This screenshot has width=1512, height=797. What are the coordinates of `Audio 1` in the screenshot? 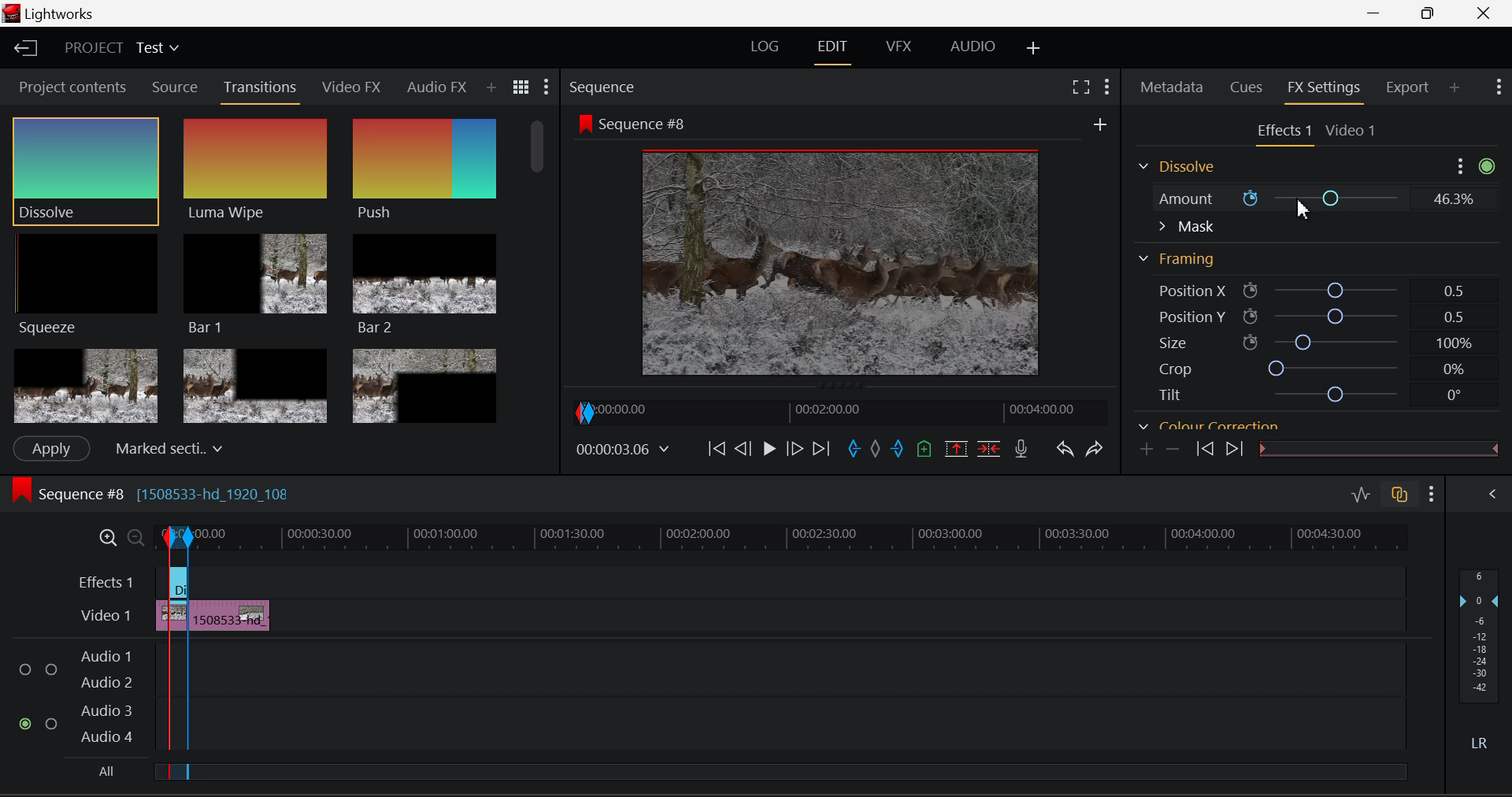 It's located at (106, 651).